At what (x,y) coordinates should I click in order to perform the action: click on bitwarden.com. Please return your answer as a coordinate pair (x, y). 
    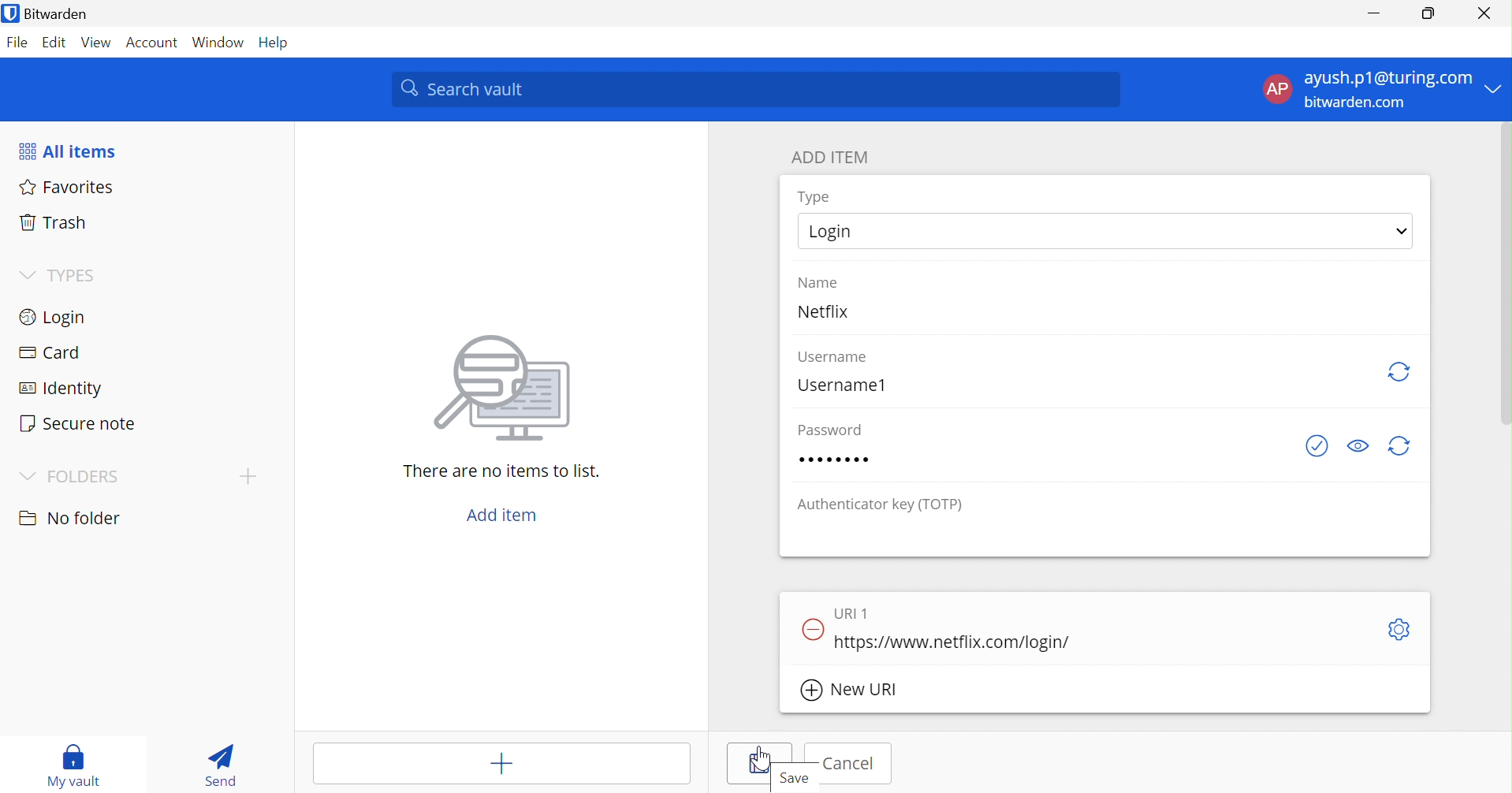
    Looking at the image, I should click on (1354, 102).